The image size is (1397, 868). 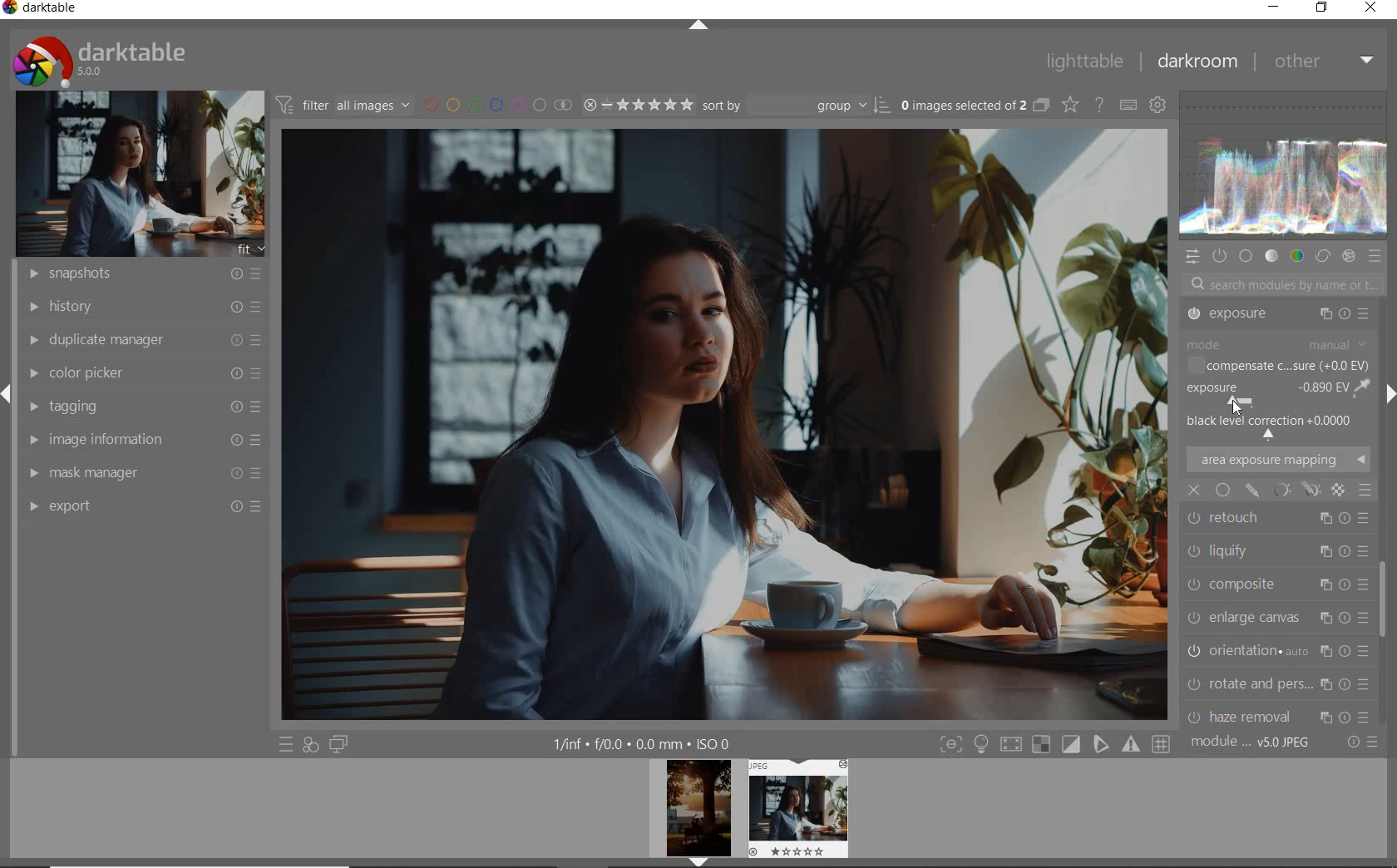 What do you see at coordinates (1275, 582) in the screenshot?
I see `ROTATE AND` at bounding box center [1275, 582].